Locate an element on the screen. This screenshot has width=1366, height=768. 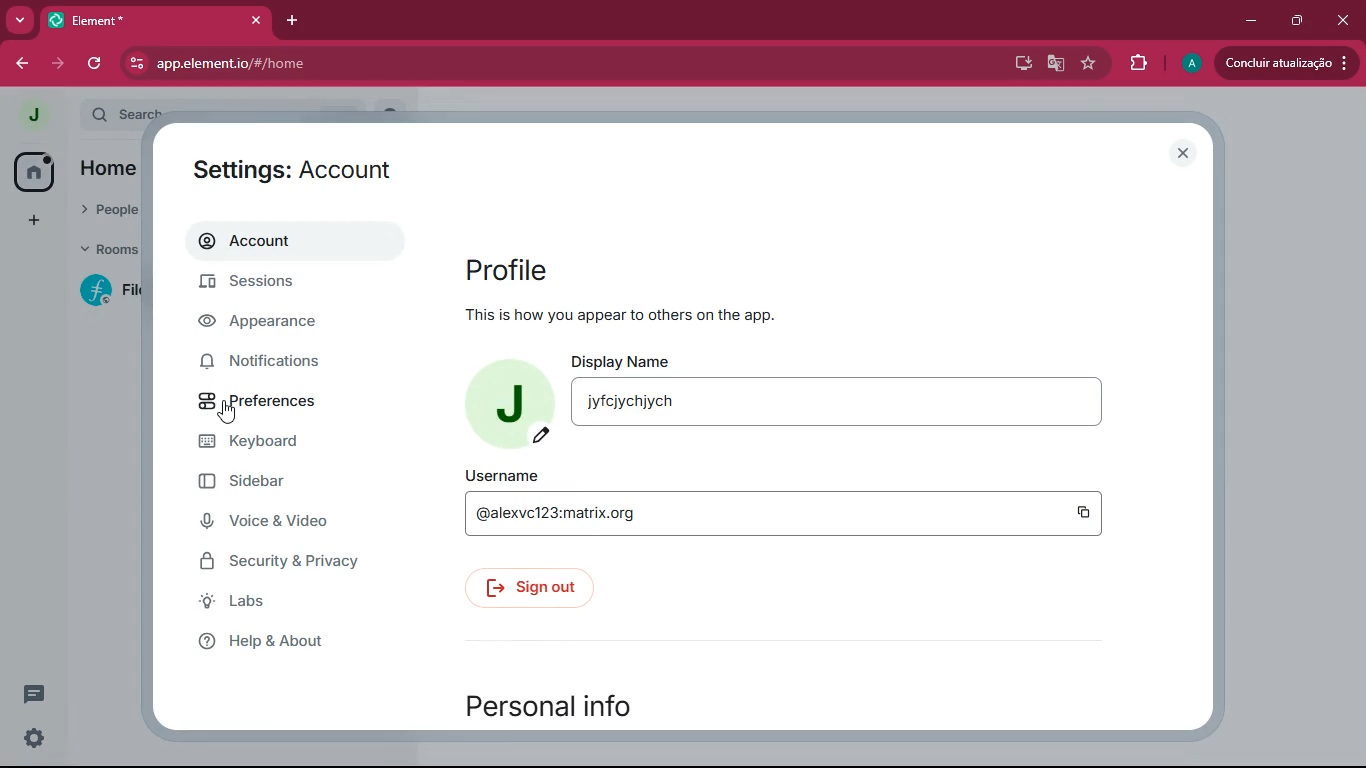
extensions is located at coordinates (1134, 63).